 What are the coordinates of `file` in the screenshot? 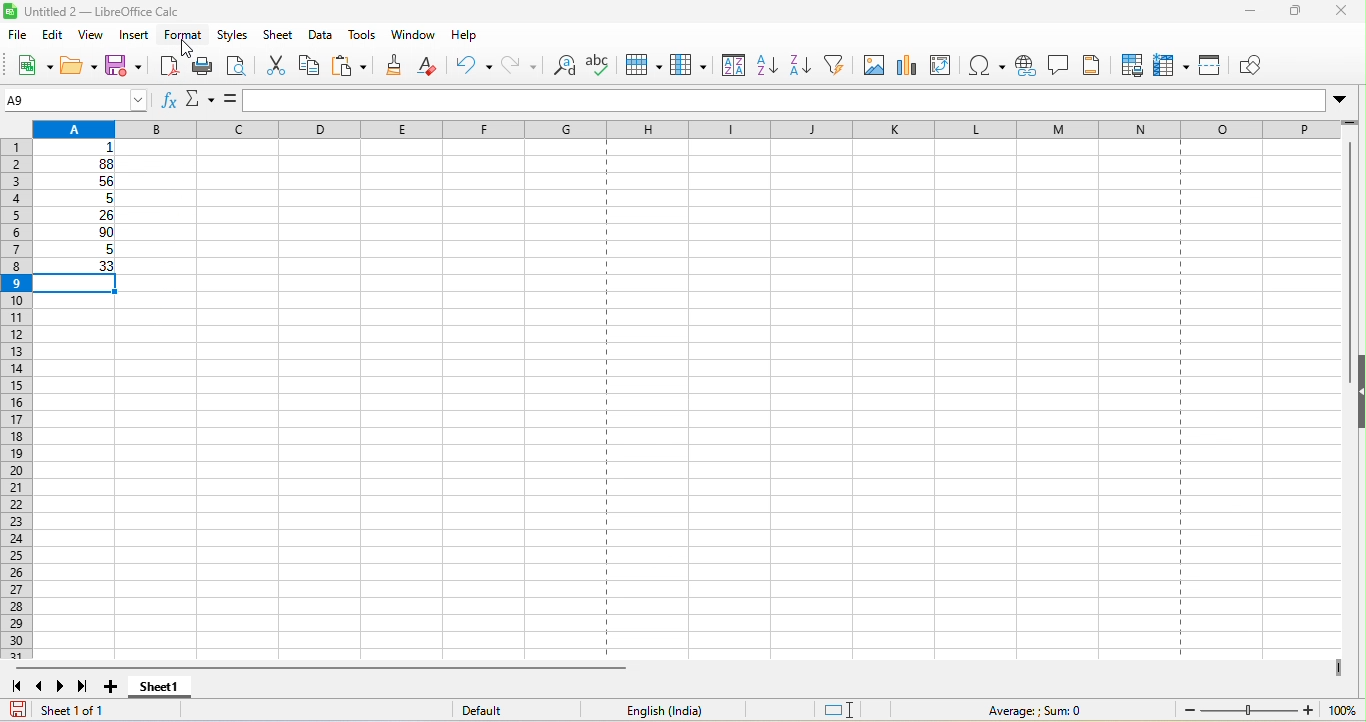 It's located at (16, 33).